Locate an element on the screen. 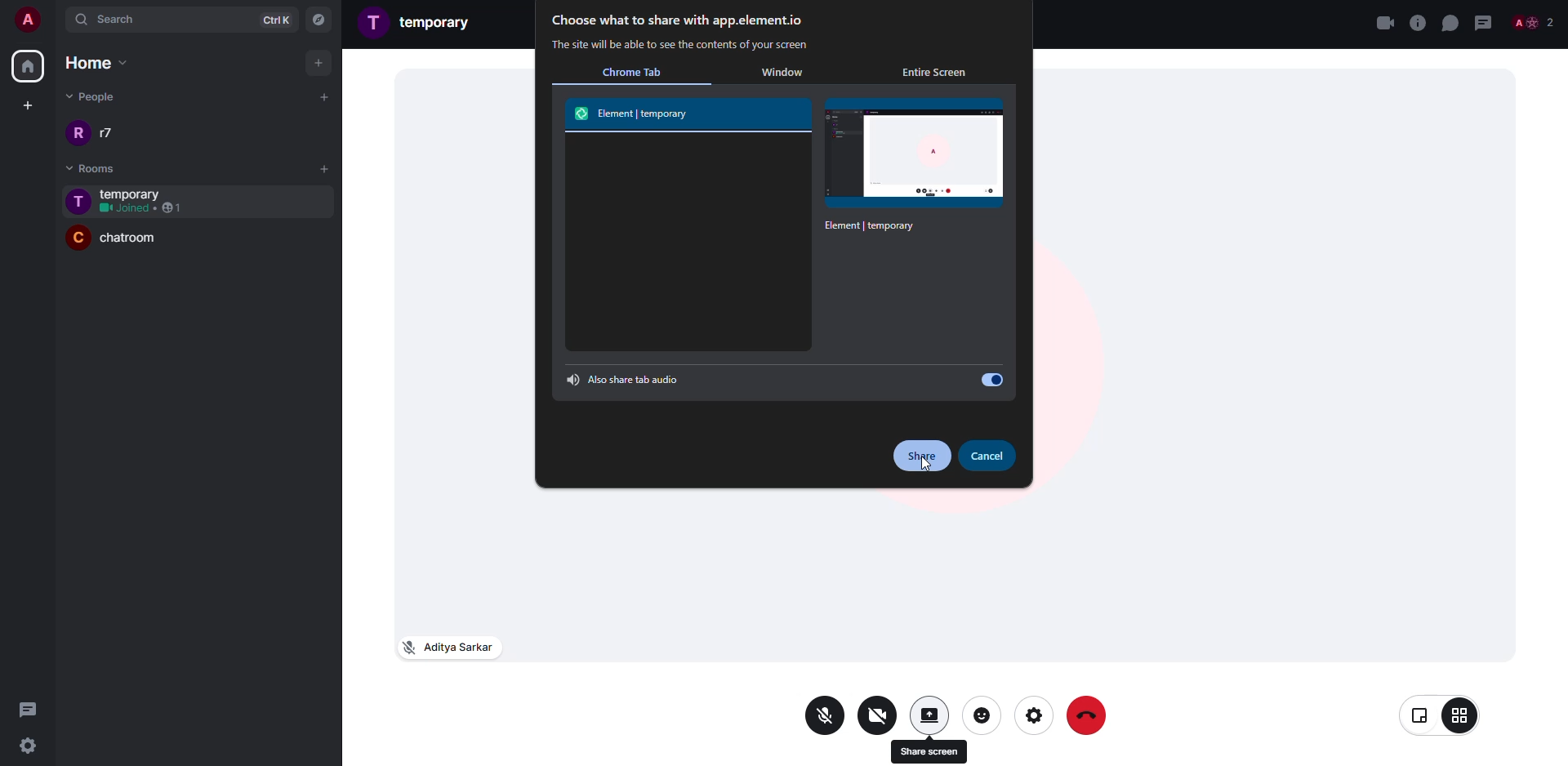 Image resolution: width=1568 pixels, height=766 pixels. mic off is located at coordinates (826, 716).